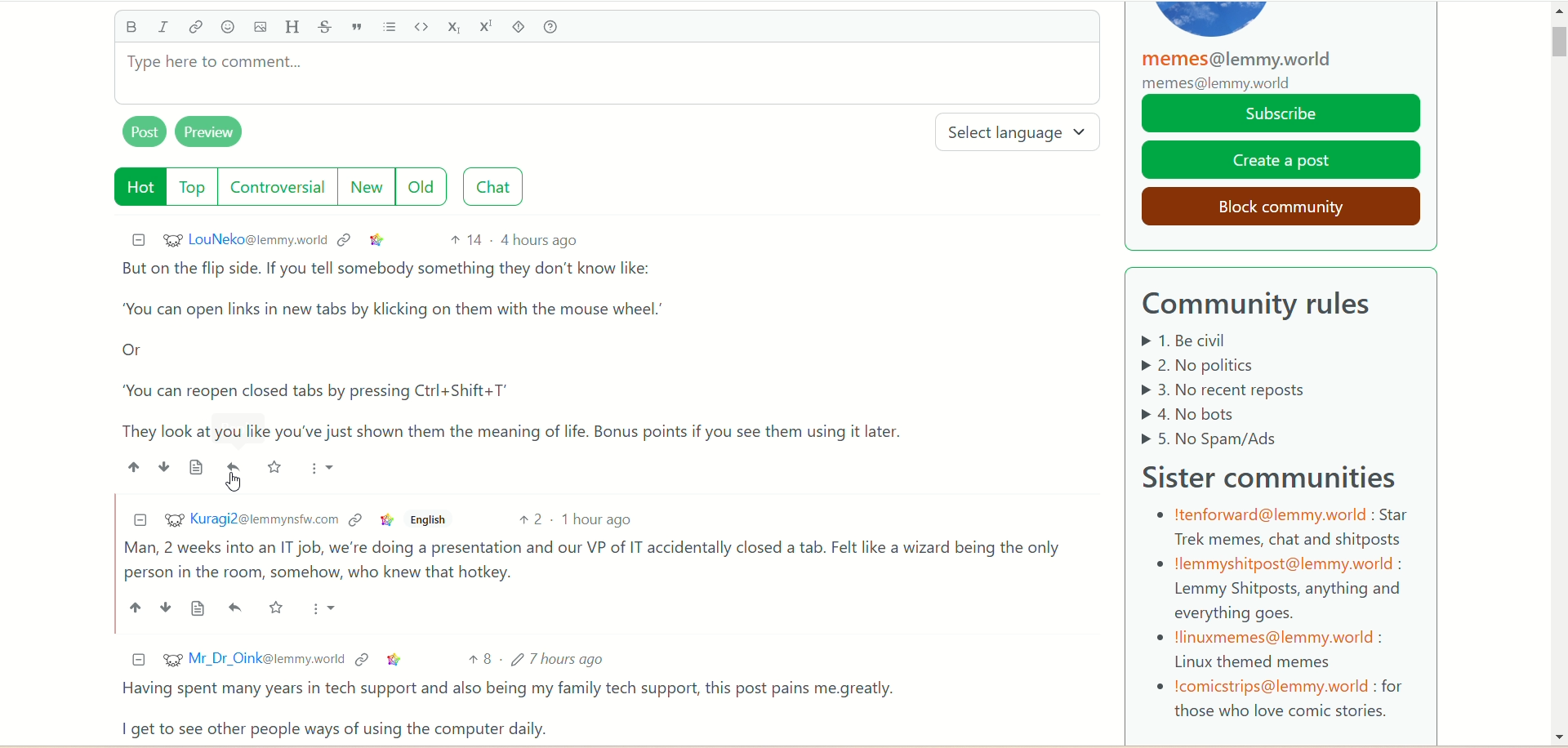 This screenshot has height=748, width=1568. What do you see at coordinates (355, 521) in the screenshot?
I see `context` at bounding box center [355, 521].